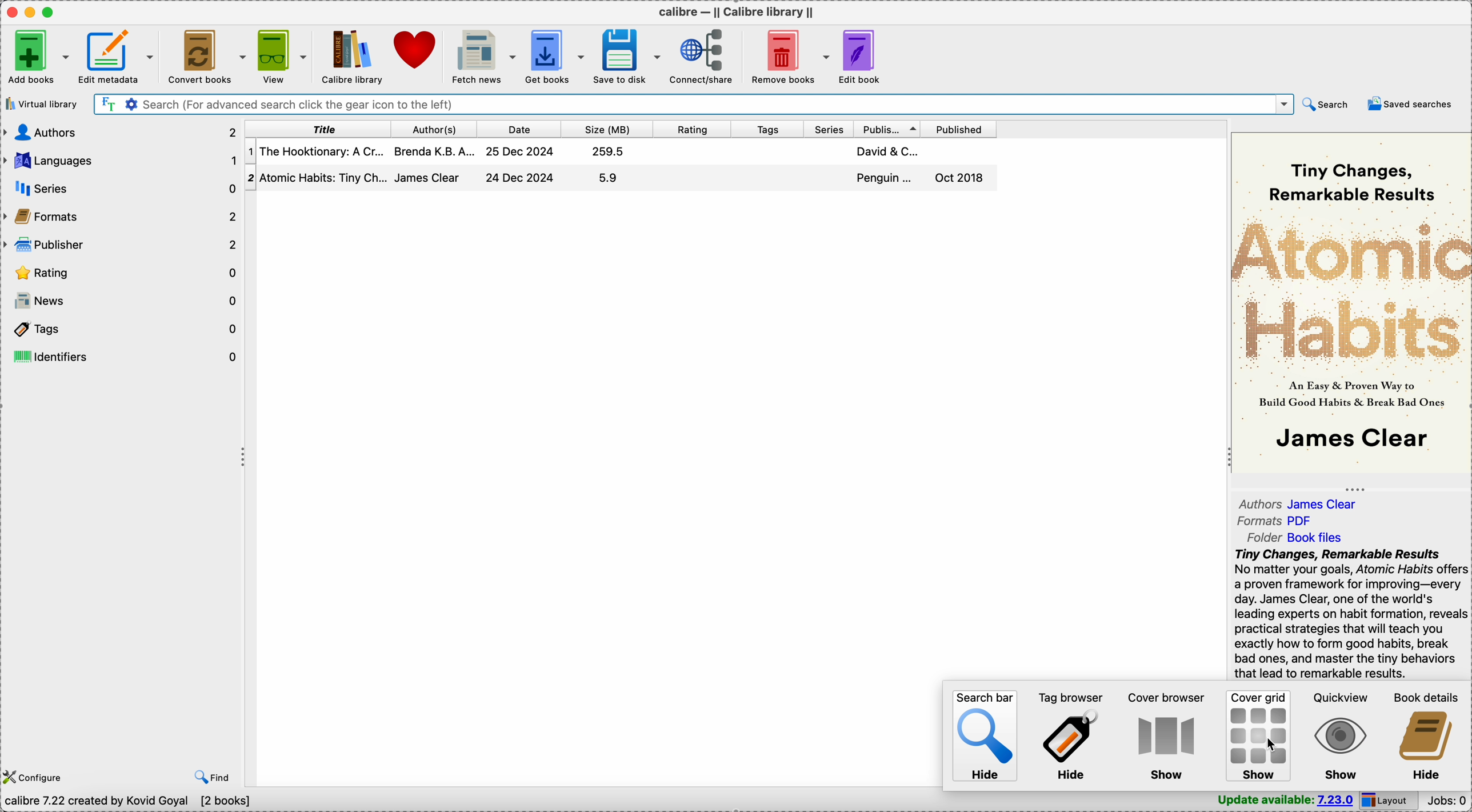 The height and width of the screenshot is (812, 1472). Describe the element at coordinates (887, 129) in the screenshot. I see `publisher` at that location.